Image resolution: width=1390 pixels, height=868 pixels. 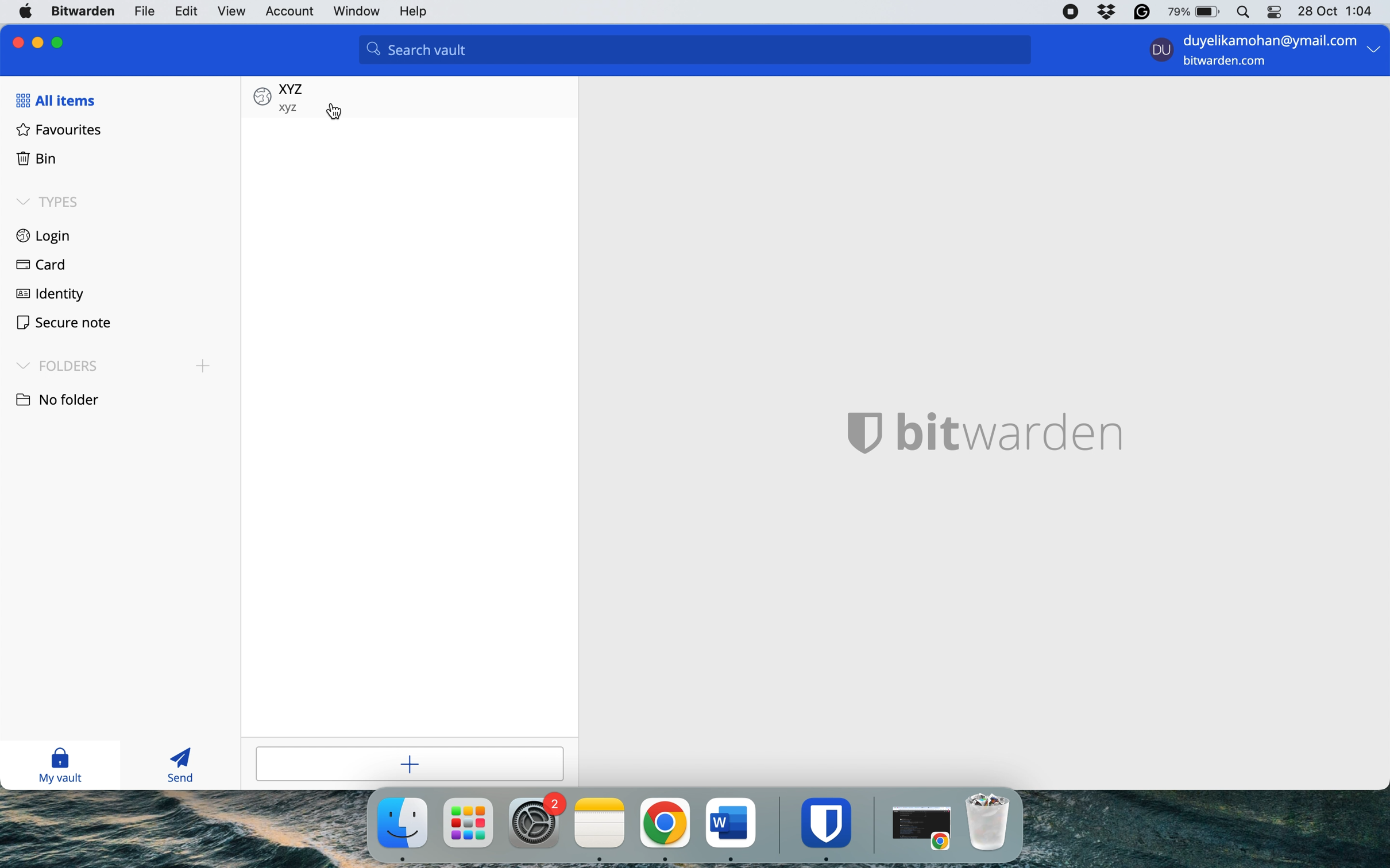 I want to click on add item, so click(x=419, y=765).